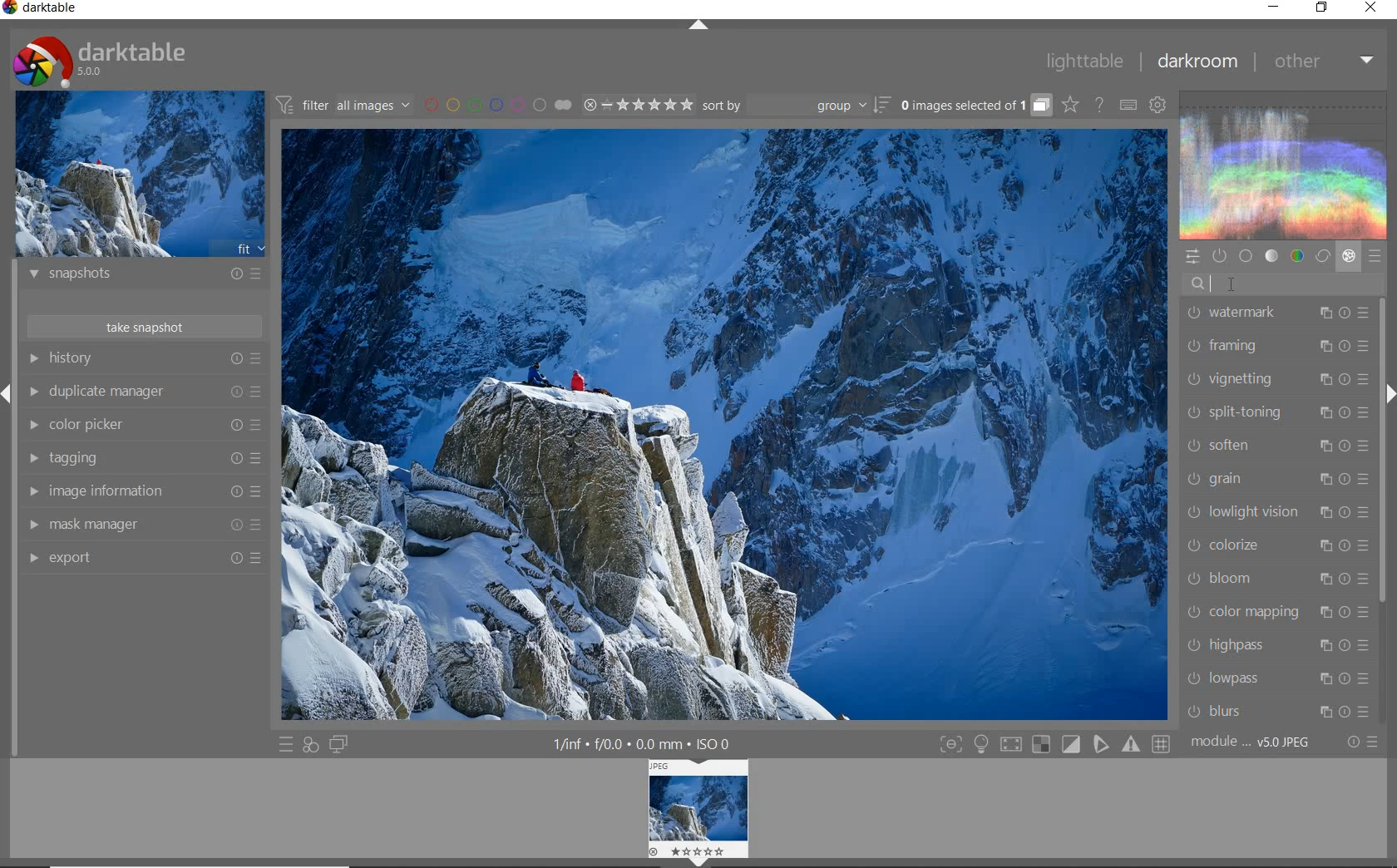 The width and height of the screenshot is (1397, 868). I want to click on show global preferences, so click(1158, 104).